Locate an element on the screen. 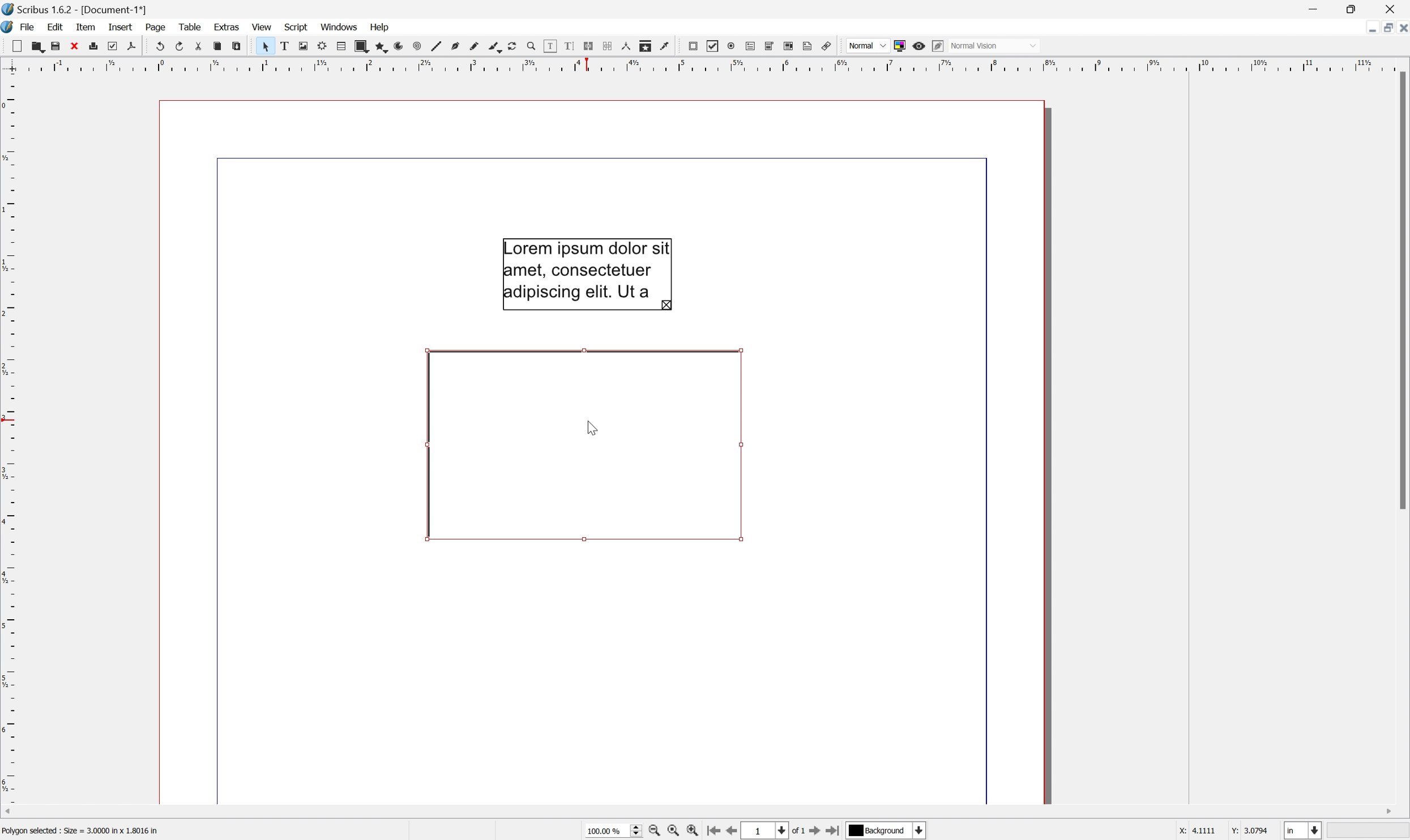 The width and height of the screenshot is (1410, 840). Rotate item is located at coordinates (586, 444).